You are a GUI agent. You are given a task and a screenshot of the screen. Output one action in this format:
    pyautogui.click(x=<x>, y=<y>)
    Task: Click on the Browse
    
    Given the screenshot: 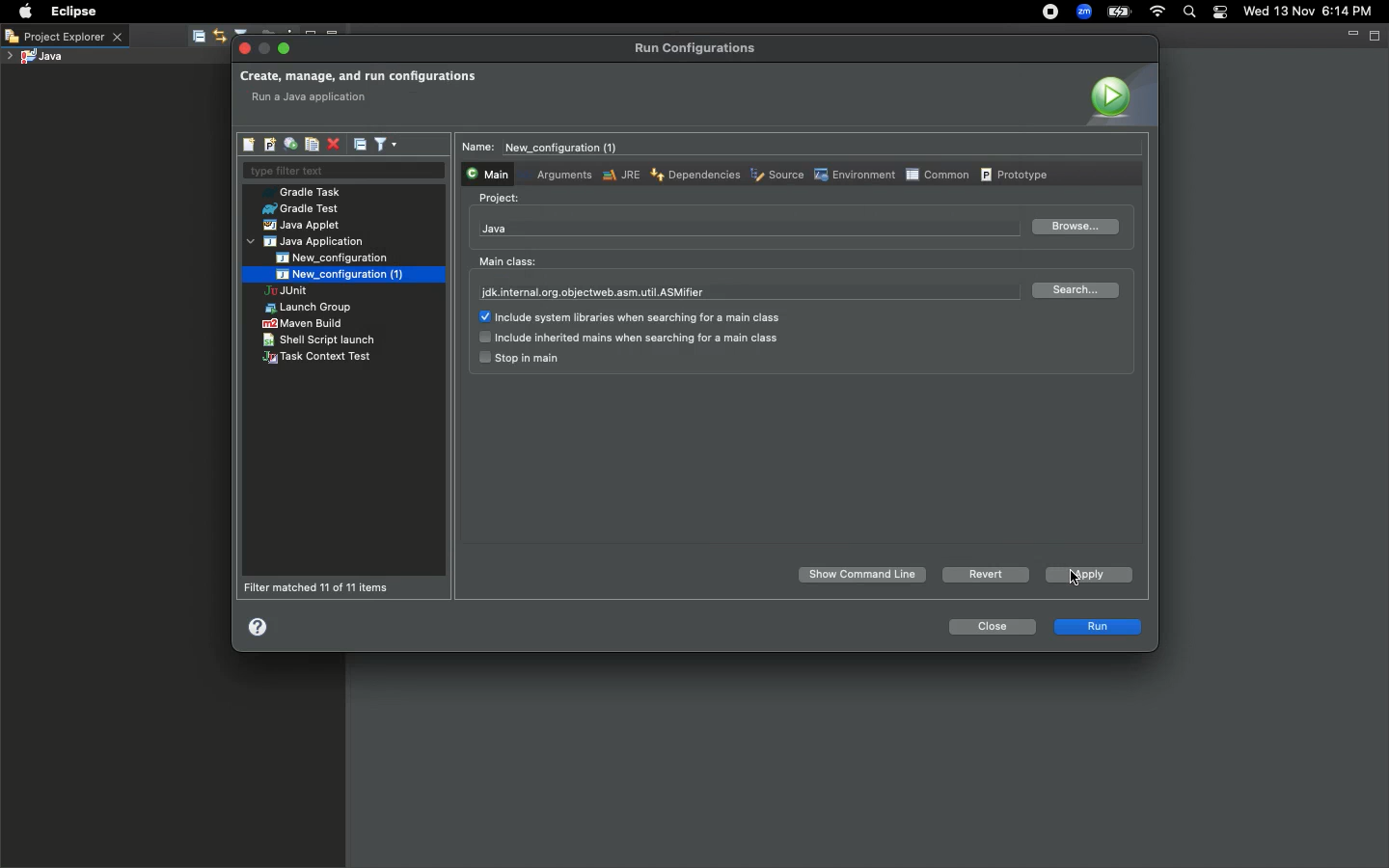 What is the action you would take?
    pyautogui.click(x=1074, y=228)
    